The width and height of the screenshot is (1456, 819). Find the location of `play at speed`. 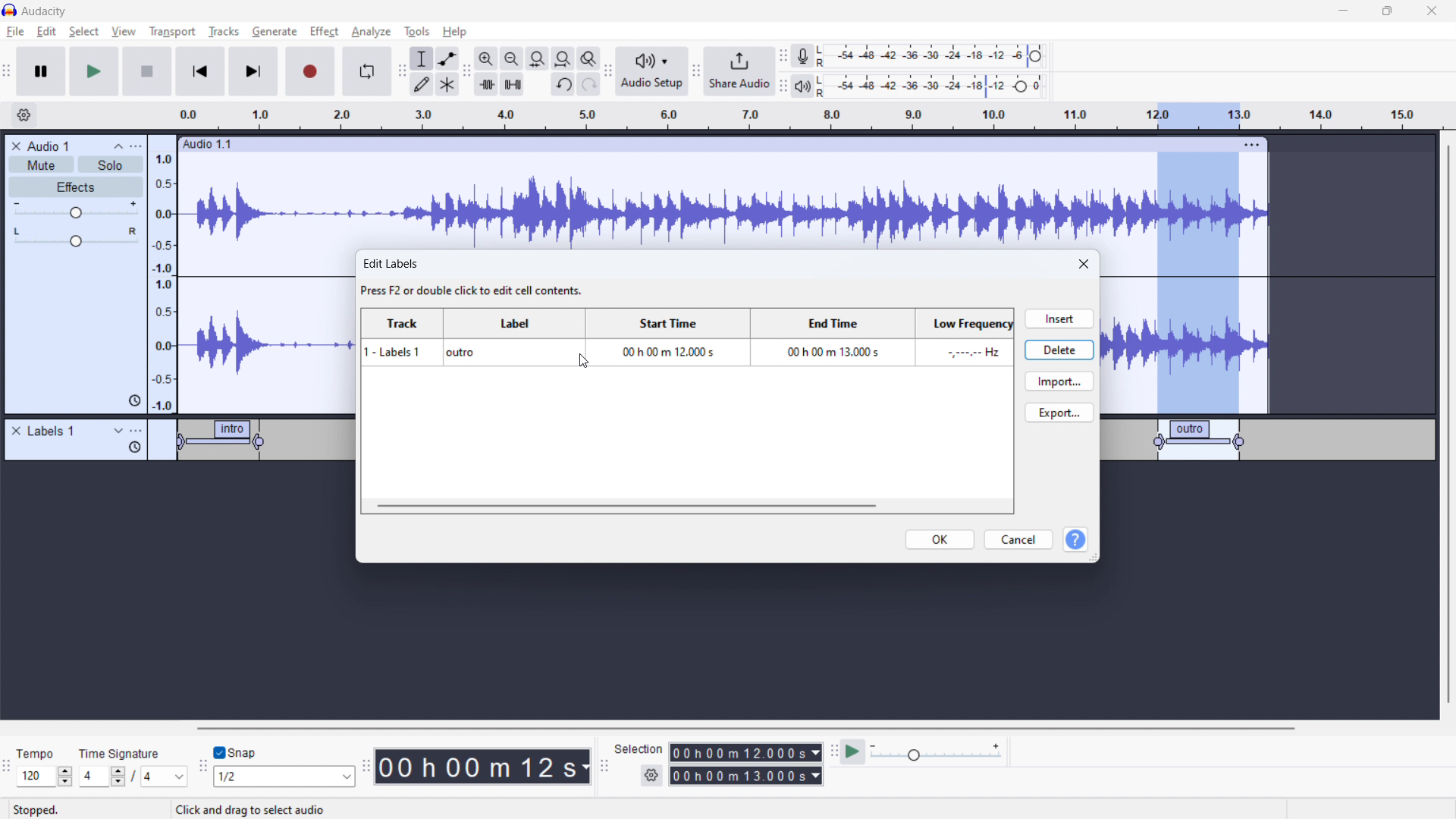

play at speed is located at coordinates (852, 751).